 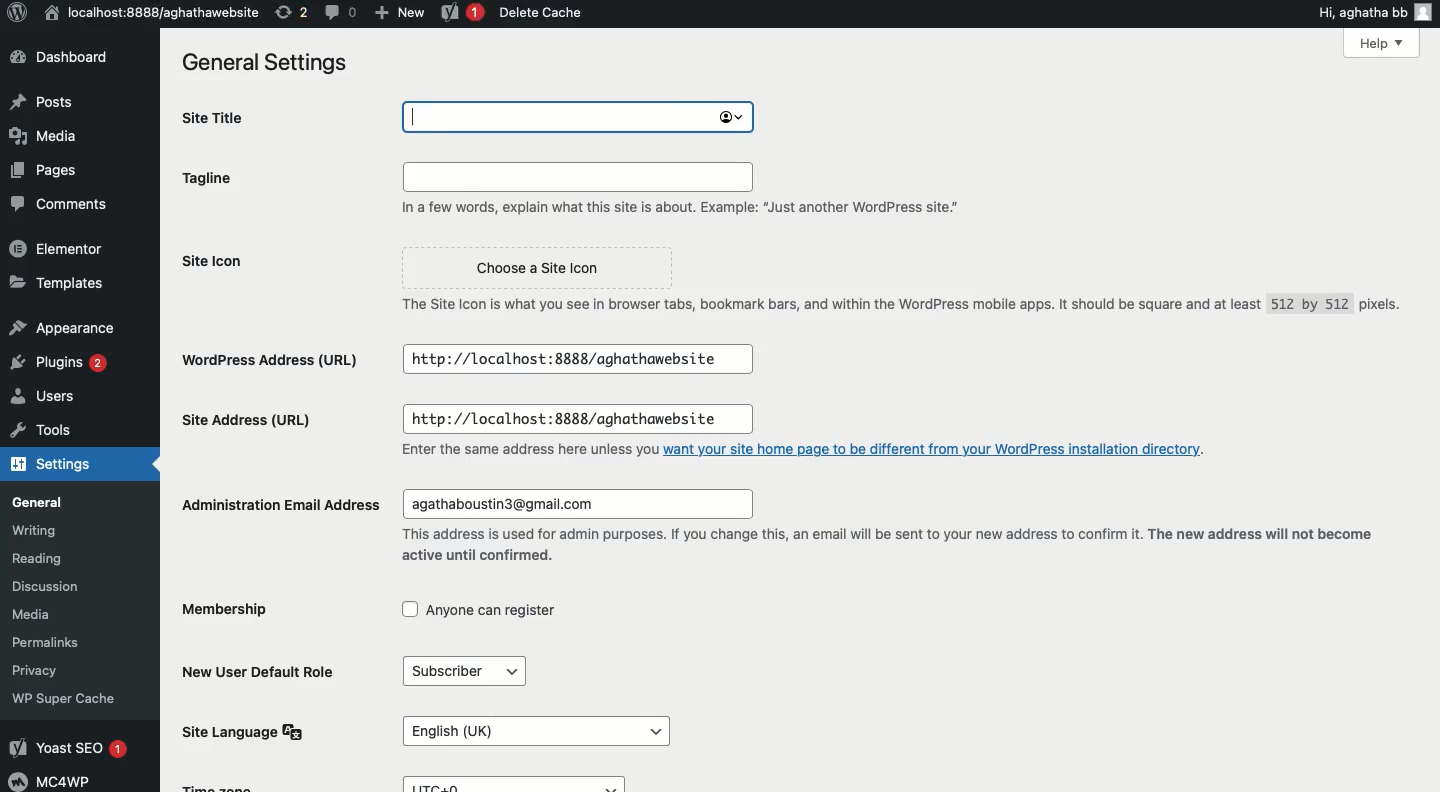 I want to click on Time Zone, so click(x=223, y=786).